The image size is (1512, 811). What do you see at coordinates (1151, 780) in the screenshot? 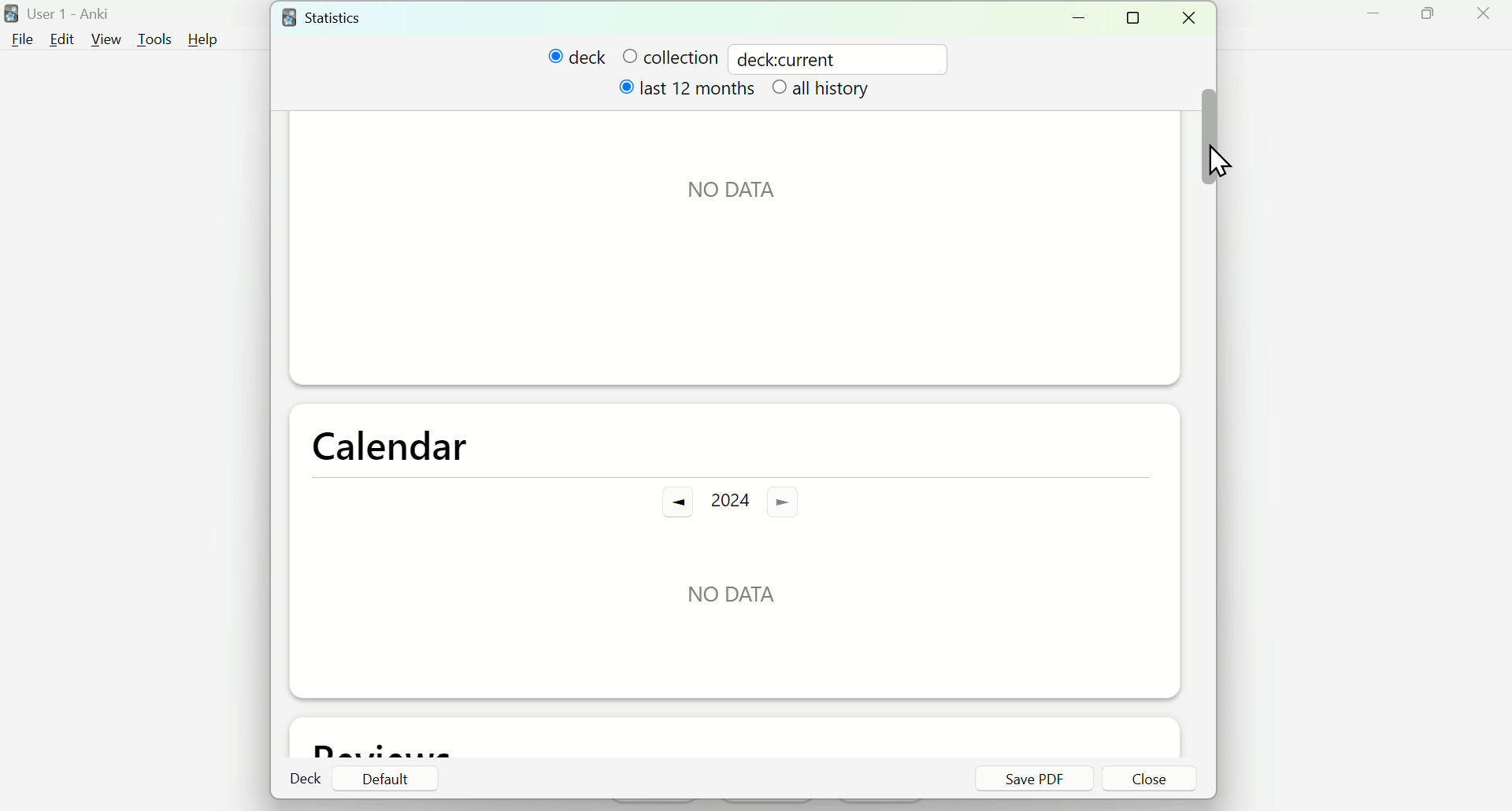
I see `Close` at bounding box center [1151, 780].